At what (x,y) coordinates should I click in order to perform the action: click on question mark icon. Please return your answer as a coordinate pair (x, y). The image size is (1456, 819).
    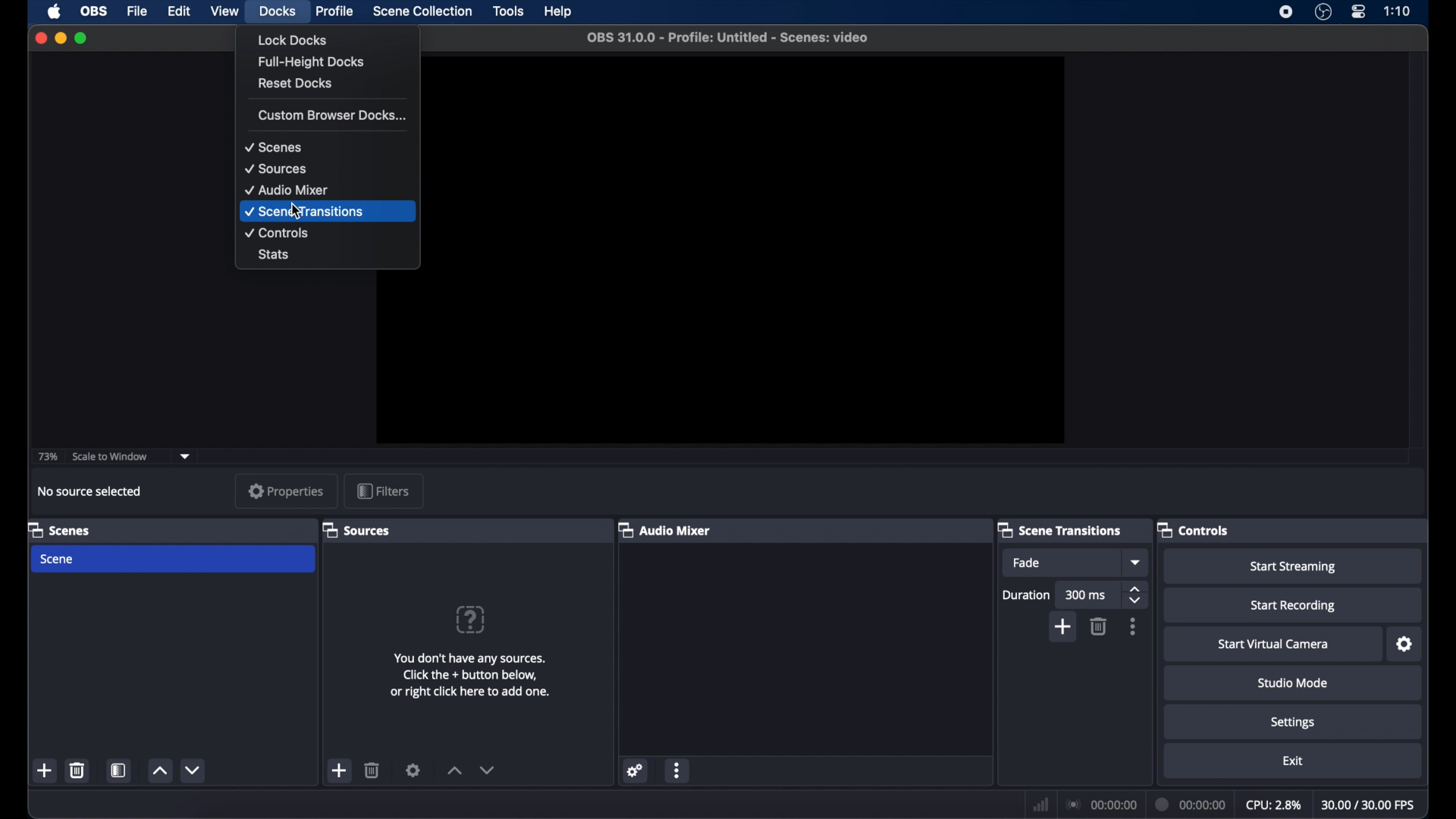
    Looking at the image, I should click on (470, 620).